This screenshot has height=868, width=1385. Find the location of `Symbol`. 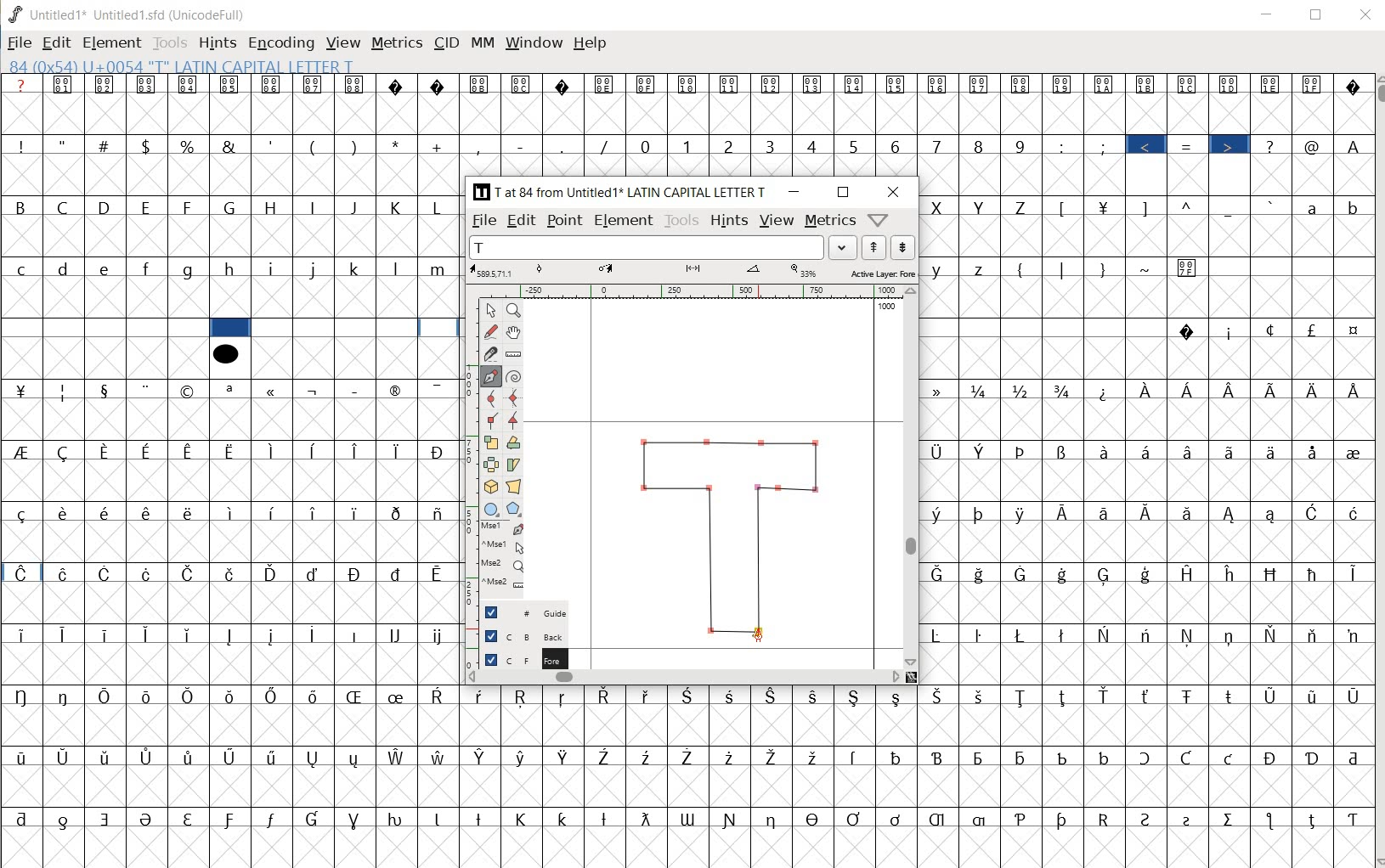

Symbol is located at coordinates (942, 513).